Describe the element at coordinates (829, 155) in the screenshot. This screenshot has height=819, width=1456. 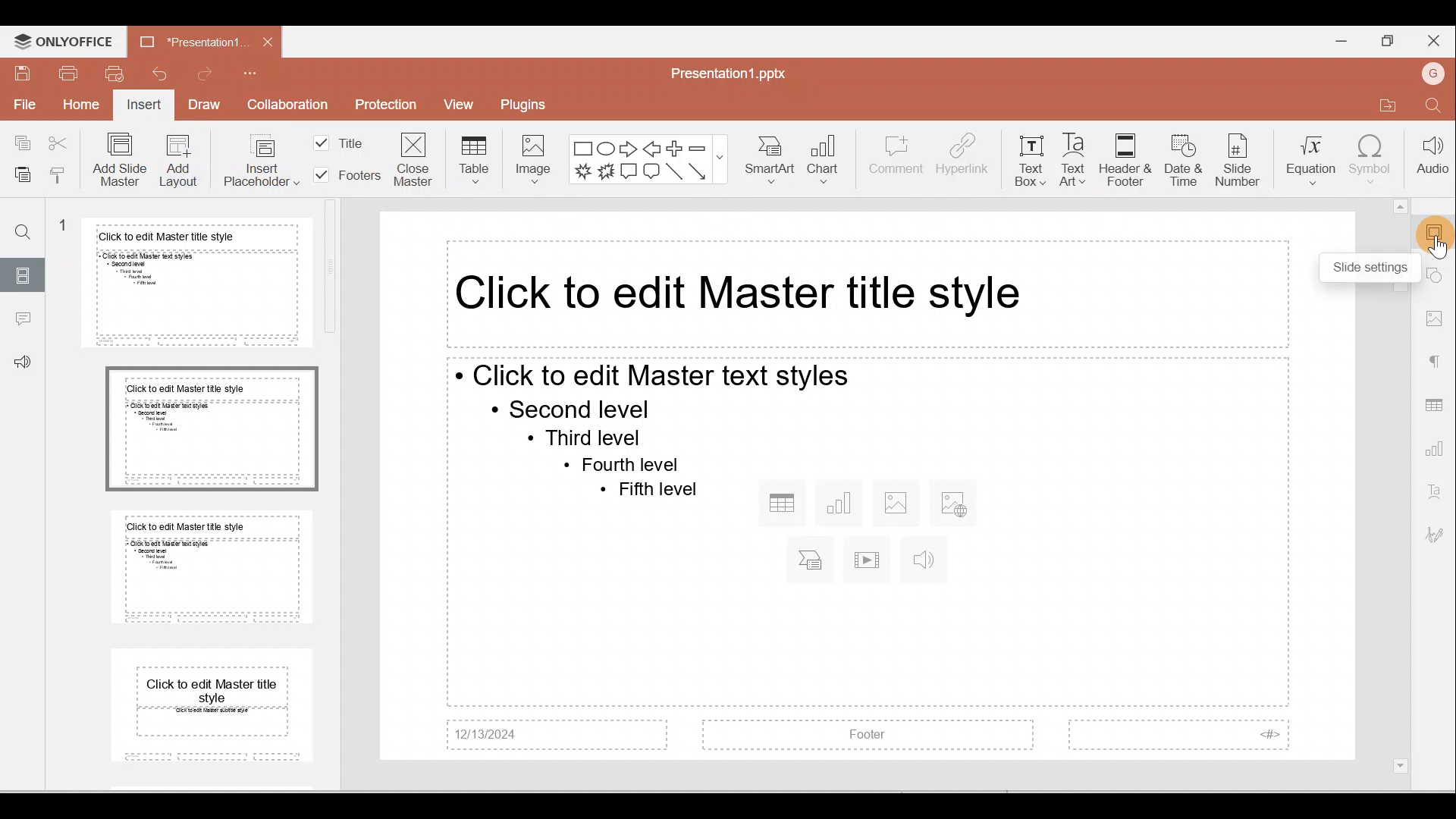
I see `Chart` at that location.